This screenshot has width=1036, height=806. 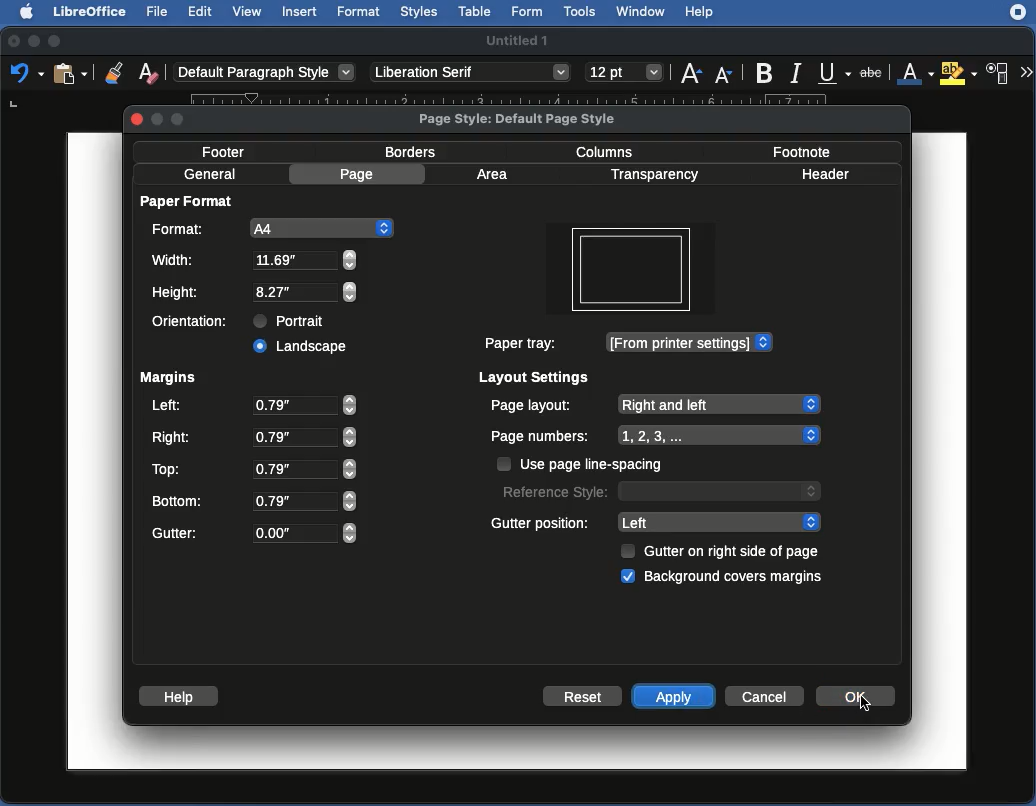 What do you see at coordinates (765, 72) in the screenshot?
I see `Bold` at bounding box center [765, 72].